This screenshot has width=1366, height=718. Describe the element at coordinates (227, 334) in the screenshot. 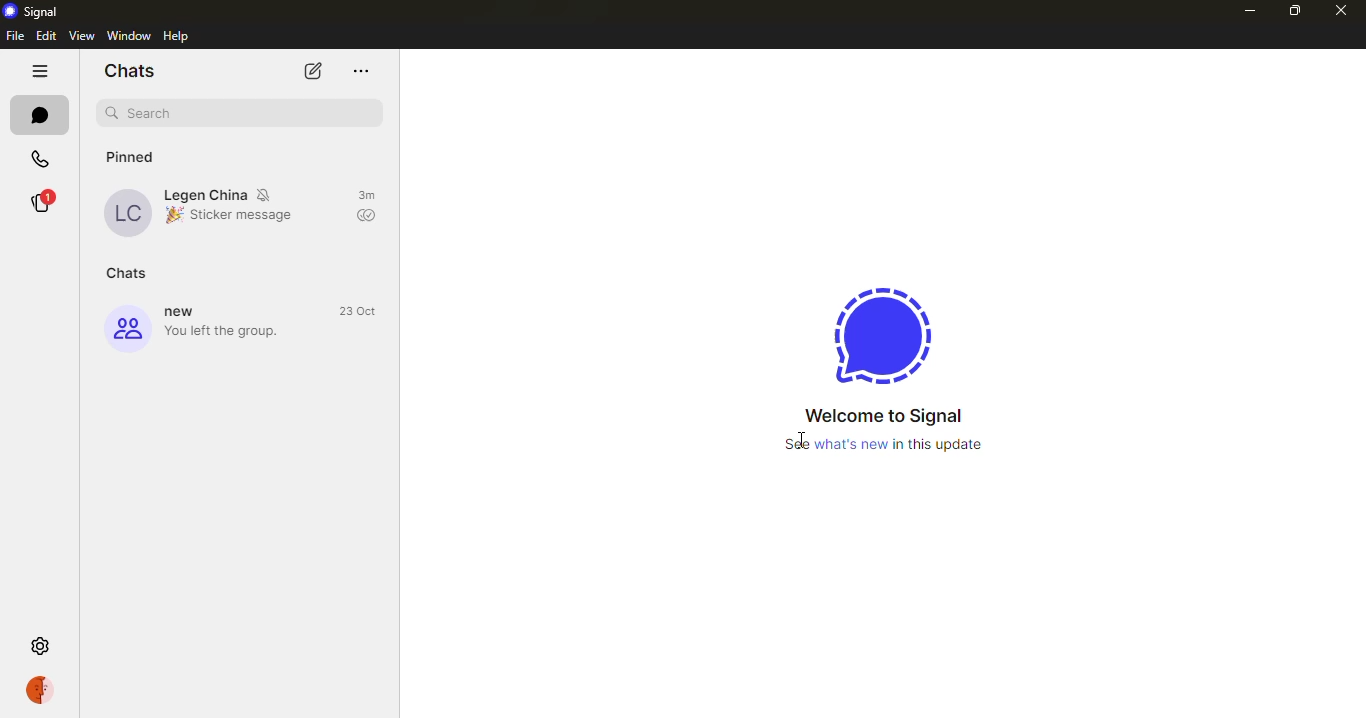

I see `you left the group.` at that location.